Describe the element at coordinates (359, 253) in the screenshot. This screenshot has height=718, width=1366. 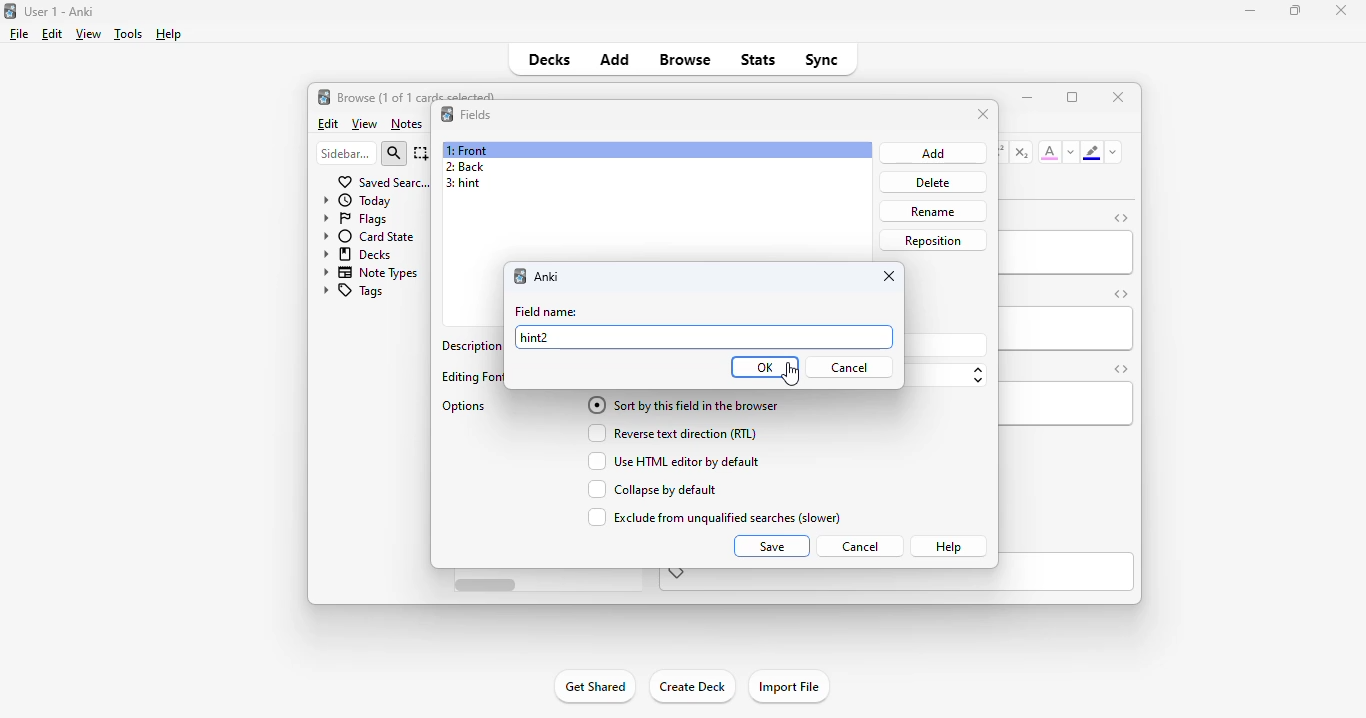
I see `decks` at that location.